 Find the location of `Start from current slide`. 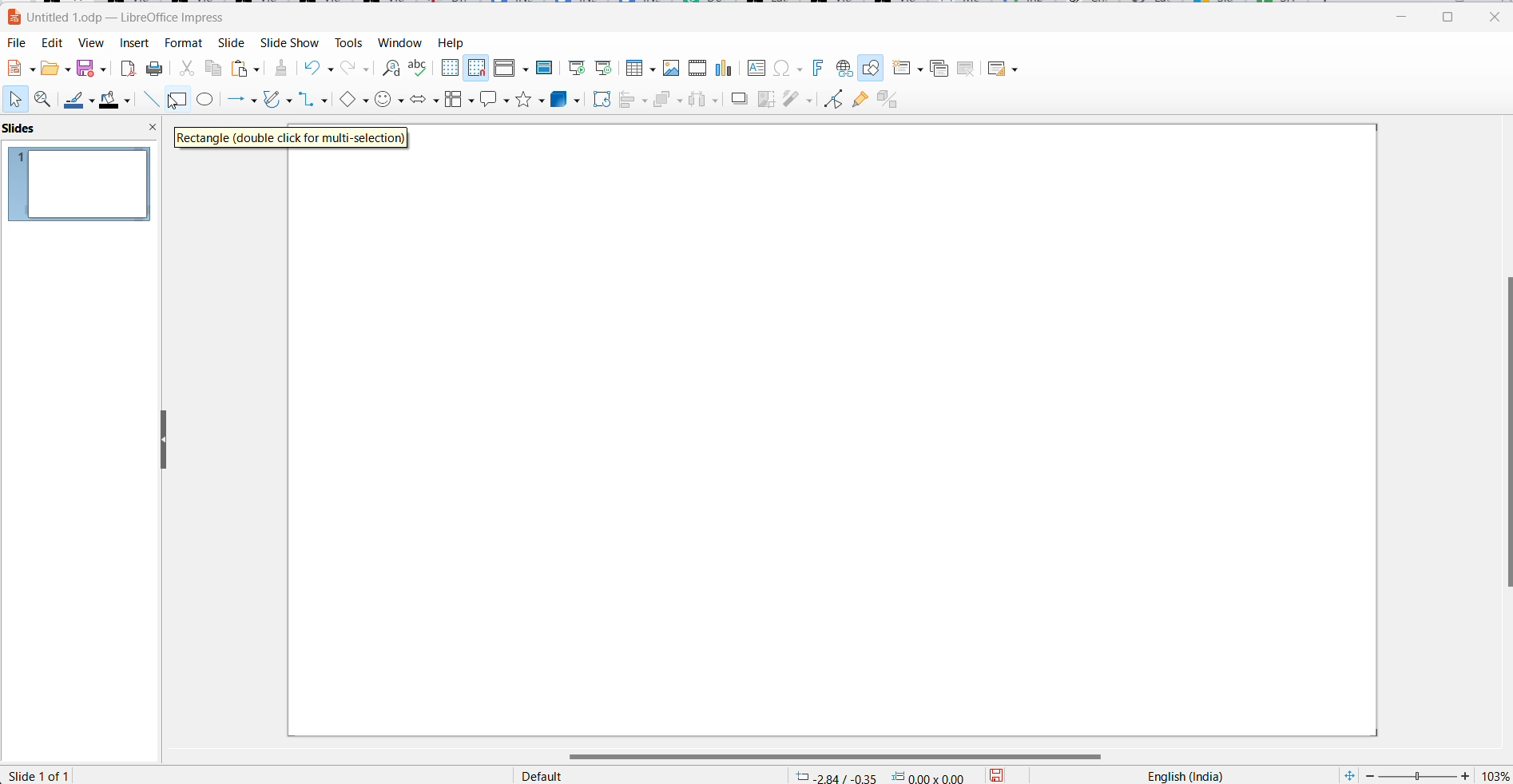

Start from current slide is located at coordinates (604, 68).